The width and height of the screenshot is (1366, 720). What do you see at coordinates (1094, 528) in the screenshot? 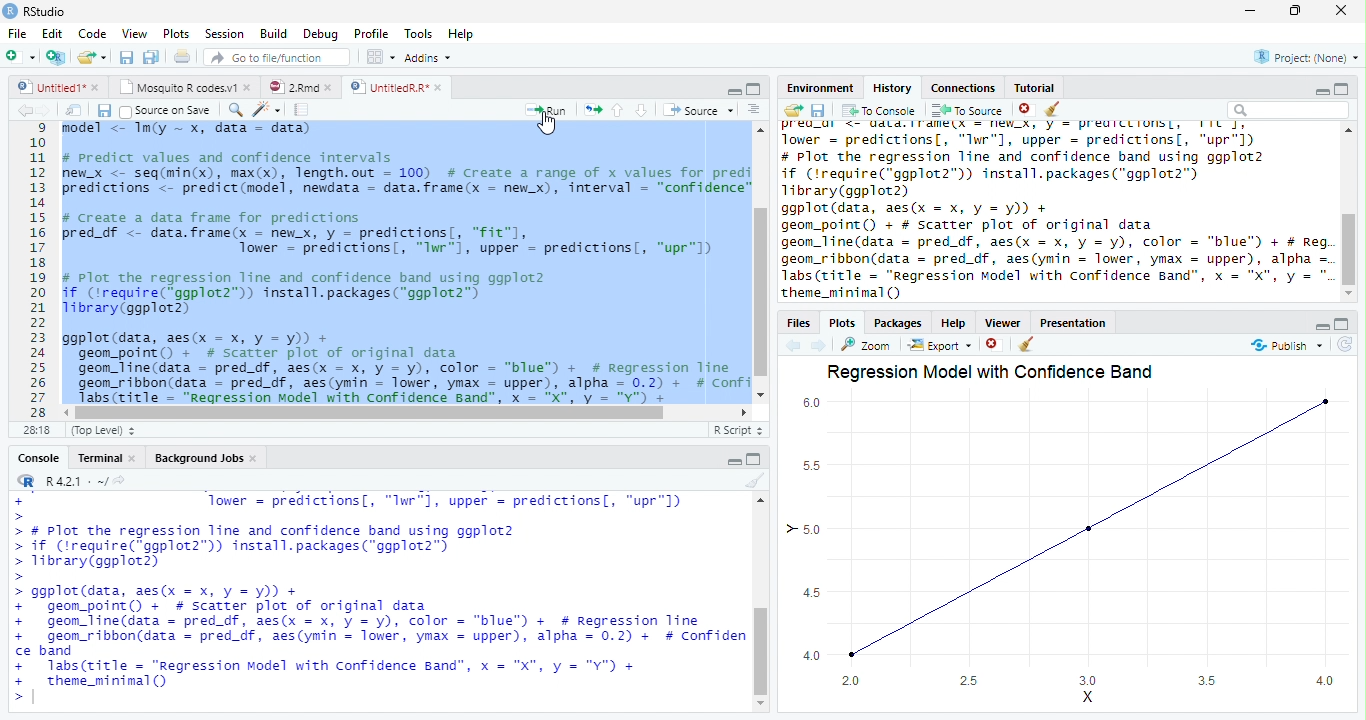
I see `Chart` at bounding box center [1094, 528].